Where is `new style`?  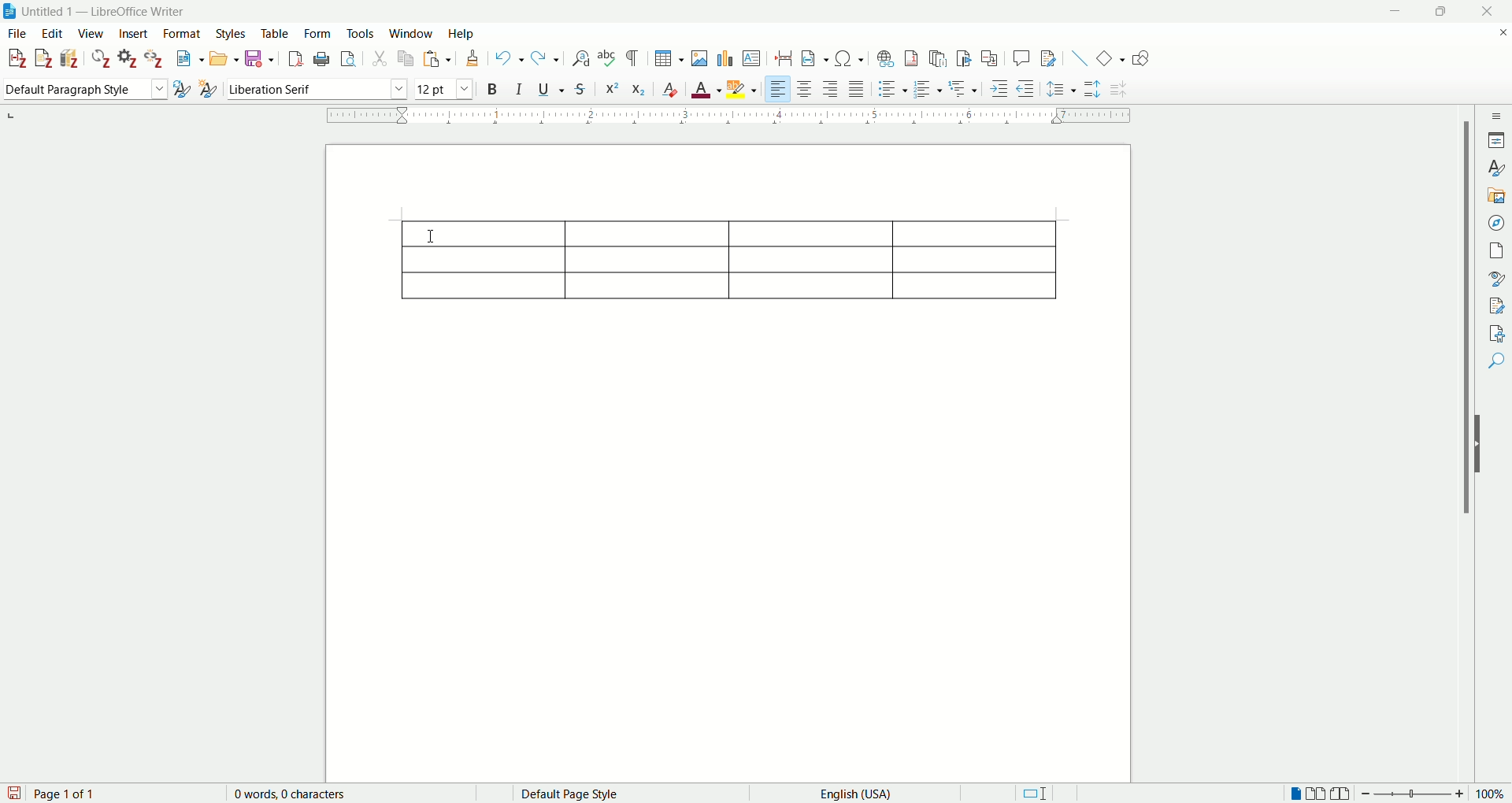
new style is located at coordinates (206, 88).